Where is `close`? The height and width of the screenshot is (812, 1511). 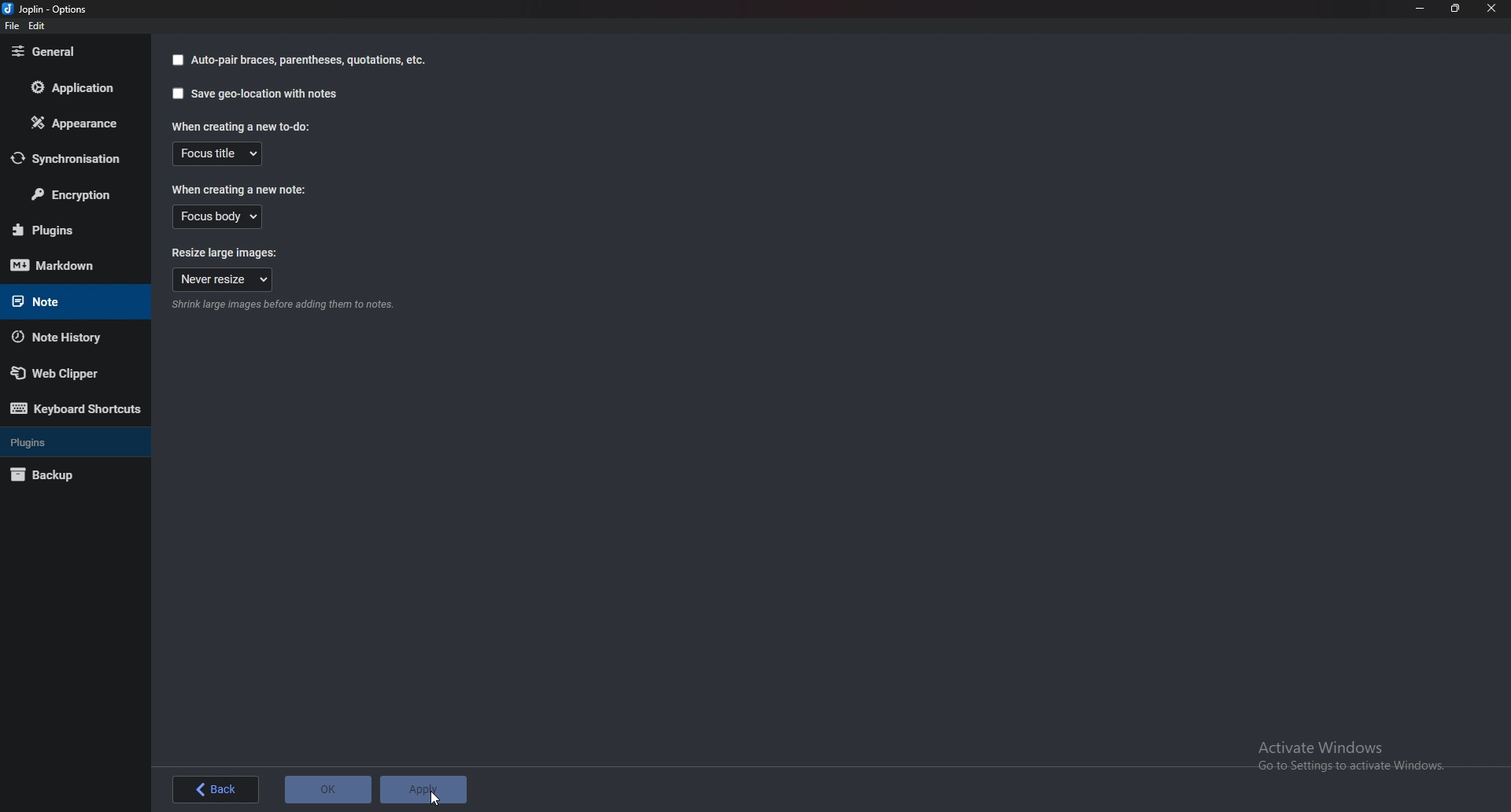
close is located at coordinates (1491, 9).